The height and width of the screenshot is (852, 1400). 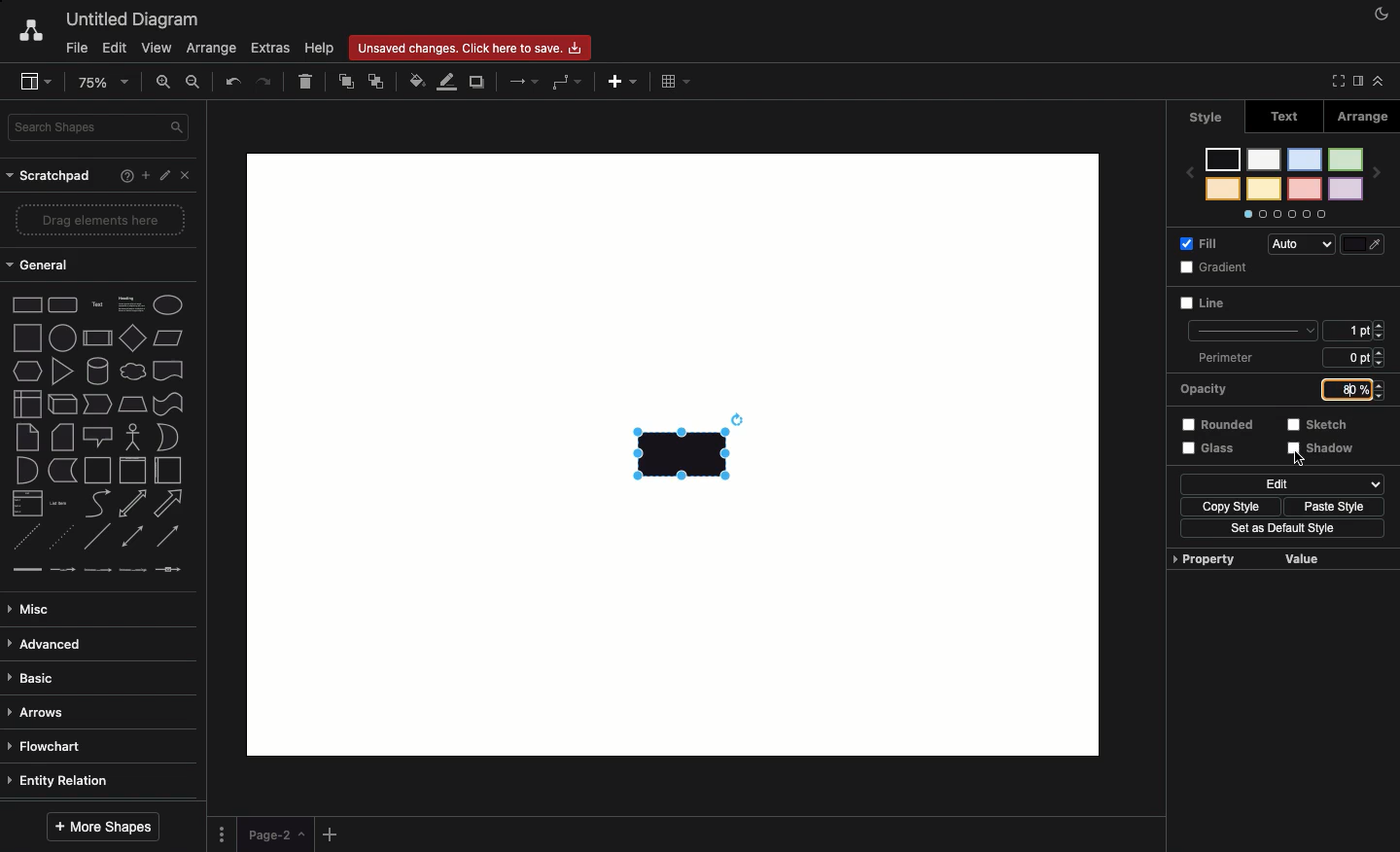 I want to click on Heading, so click(x=130, y=307).